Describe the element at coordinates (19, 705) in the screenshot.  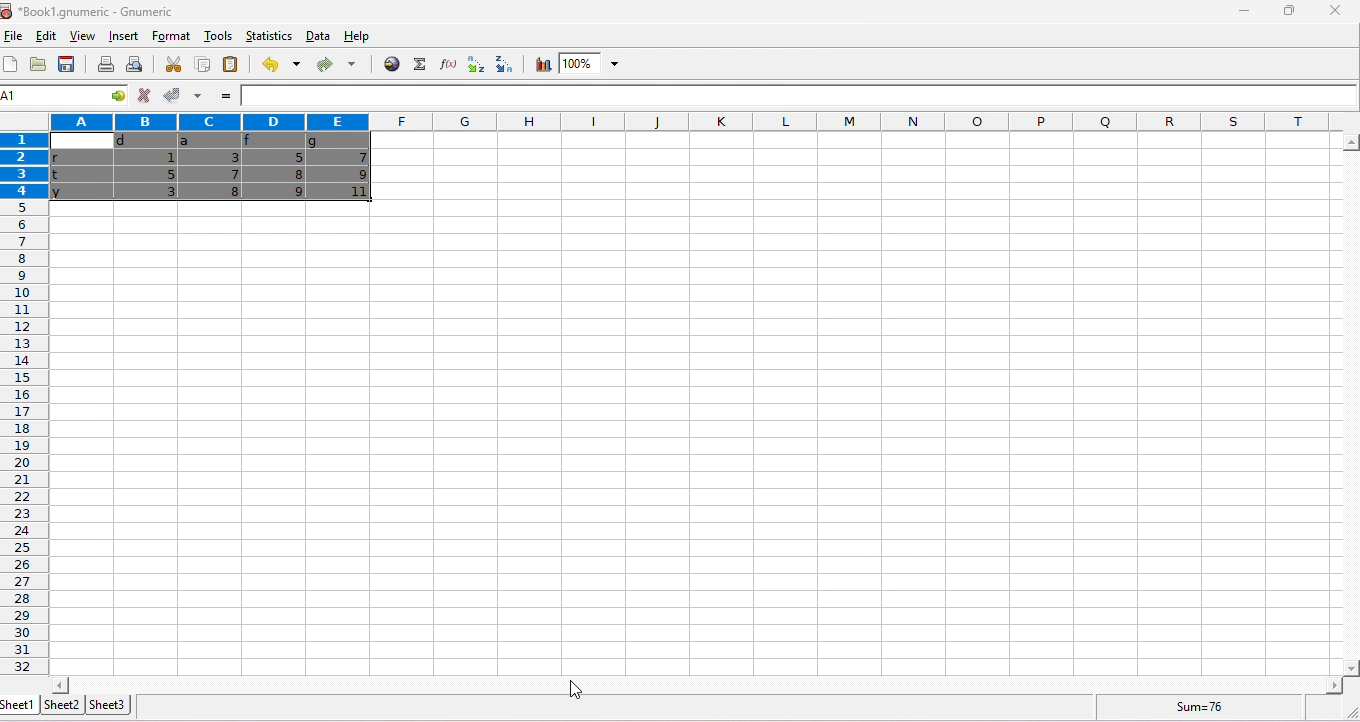
I see `sheet1` at that location.